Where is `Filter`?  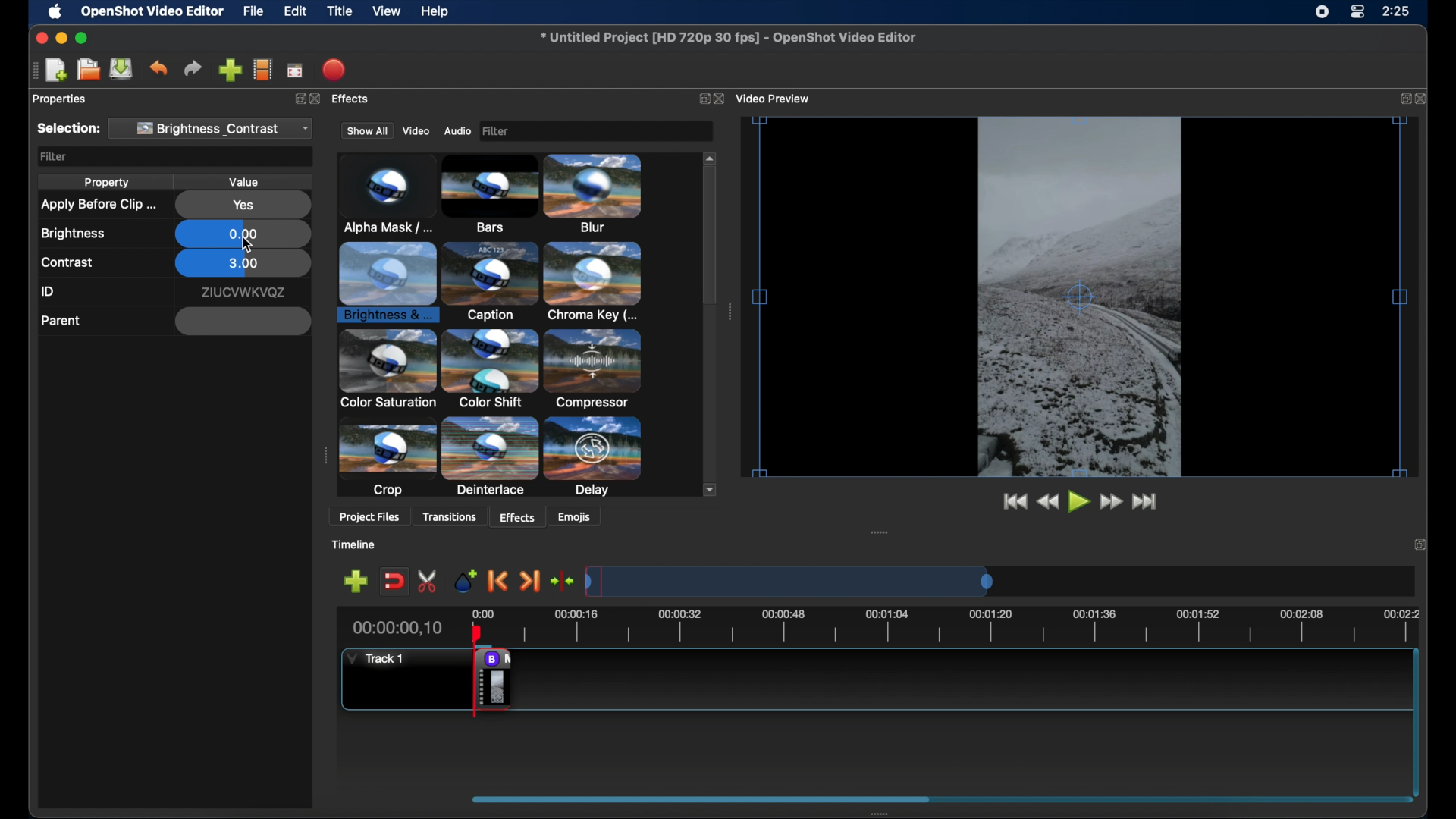
Filter is located at coordinates (592, 130).